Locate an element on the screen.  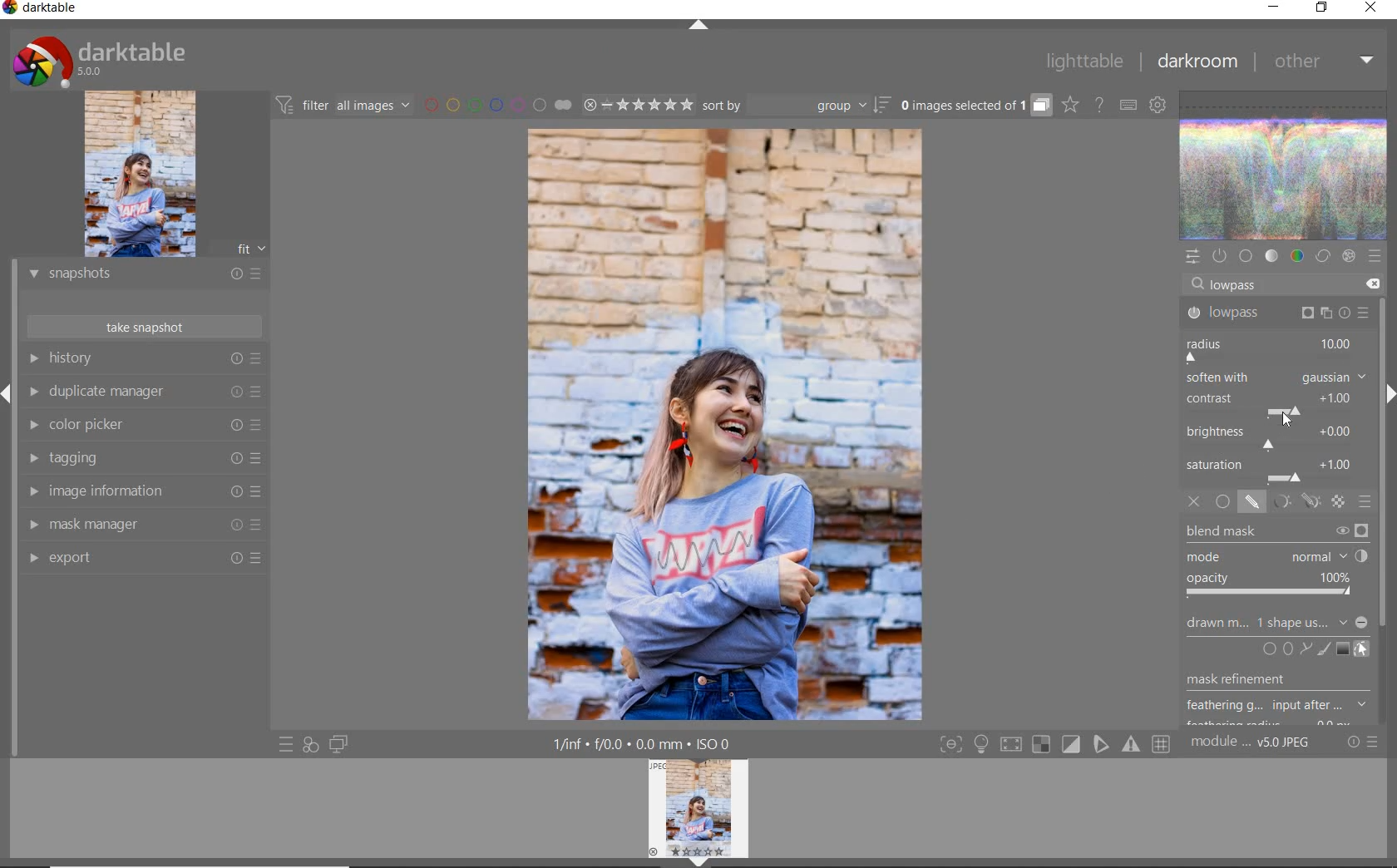
add brush is located at coordinates (1322, 649).